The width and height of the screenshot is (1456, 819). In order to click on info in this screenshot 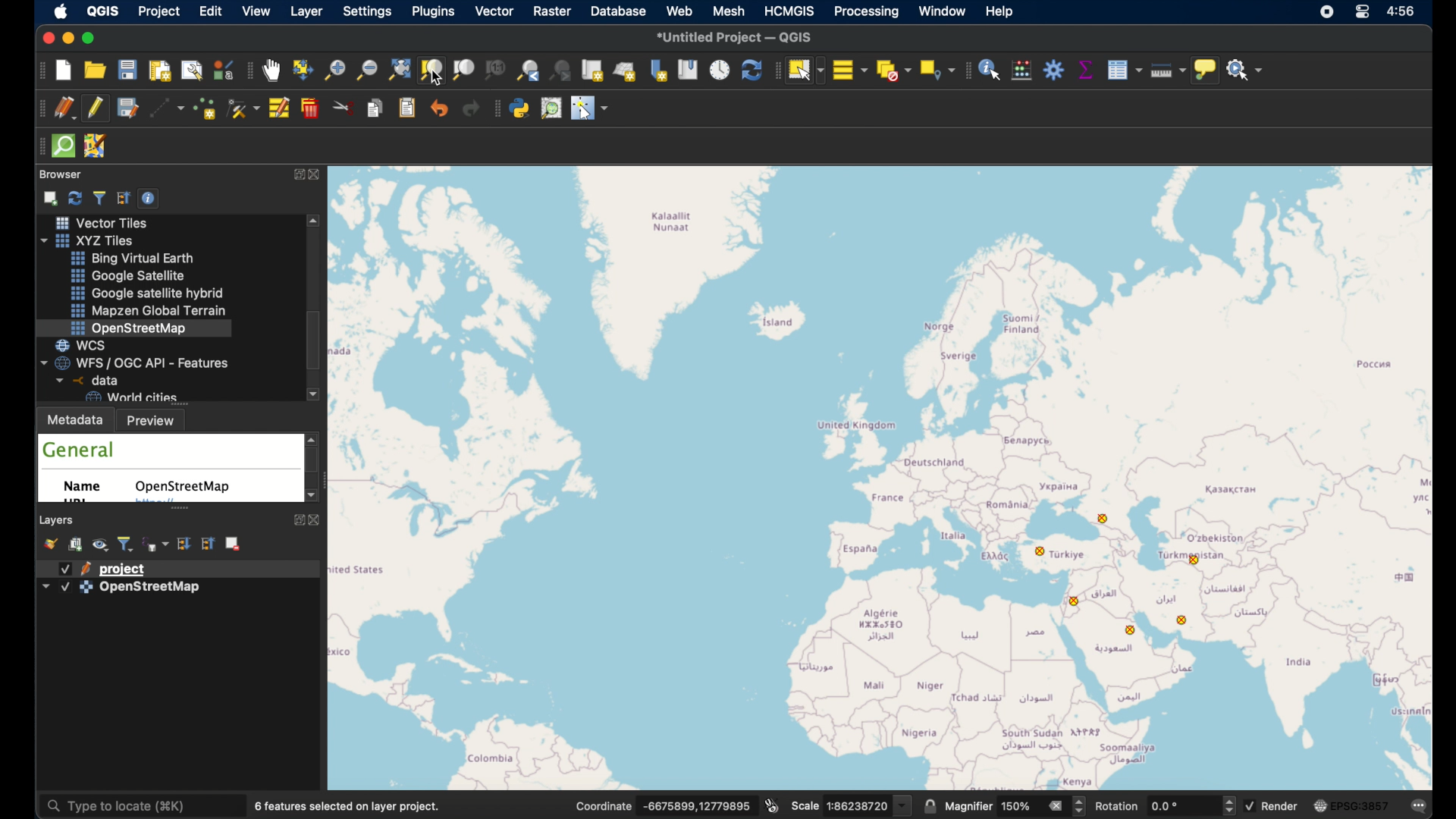, I will do `click(350, 805)`.